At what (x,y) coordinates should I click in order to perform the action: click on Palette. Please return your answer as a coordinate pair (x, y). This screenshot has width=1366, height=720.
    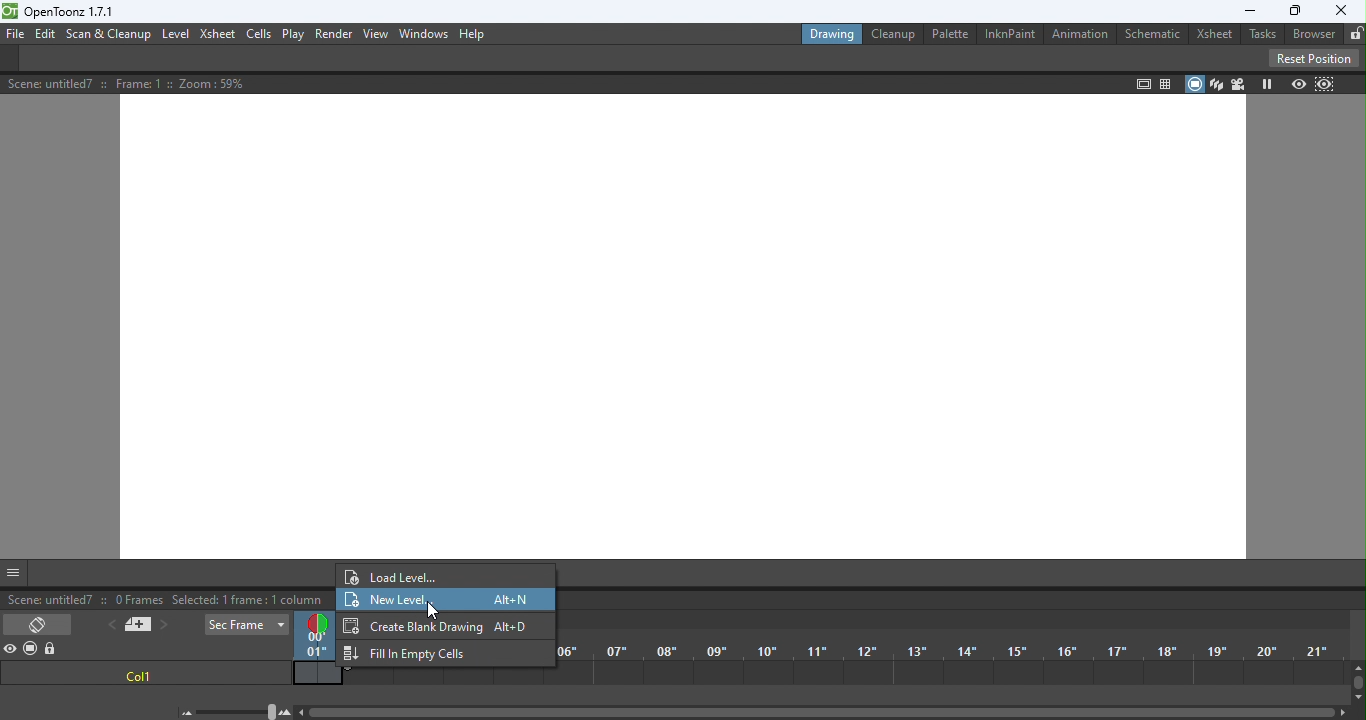
    Looking at the image, I should click on (951, 34).